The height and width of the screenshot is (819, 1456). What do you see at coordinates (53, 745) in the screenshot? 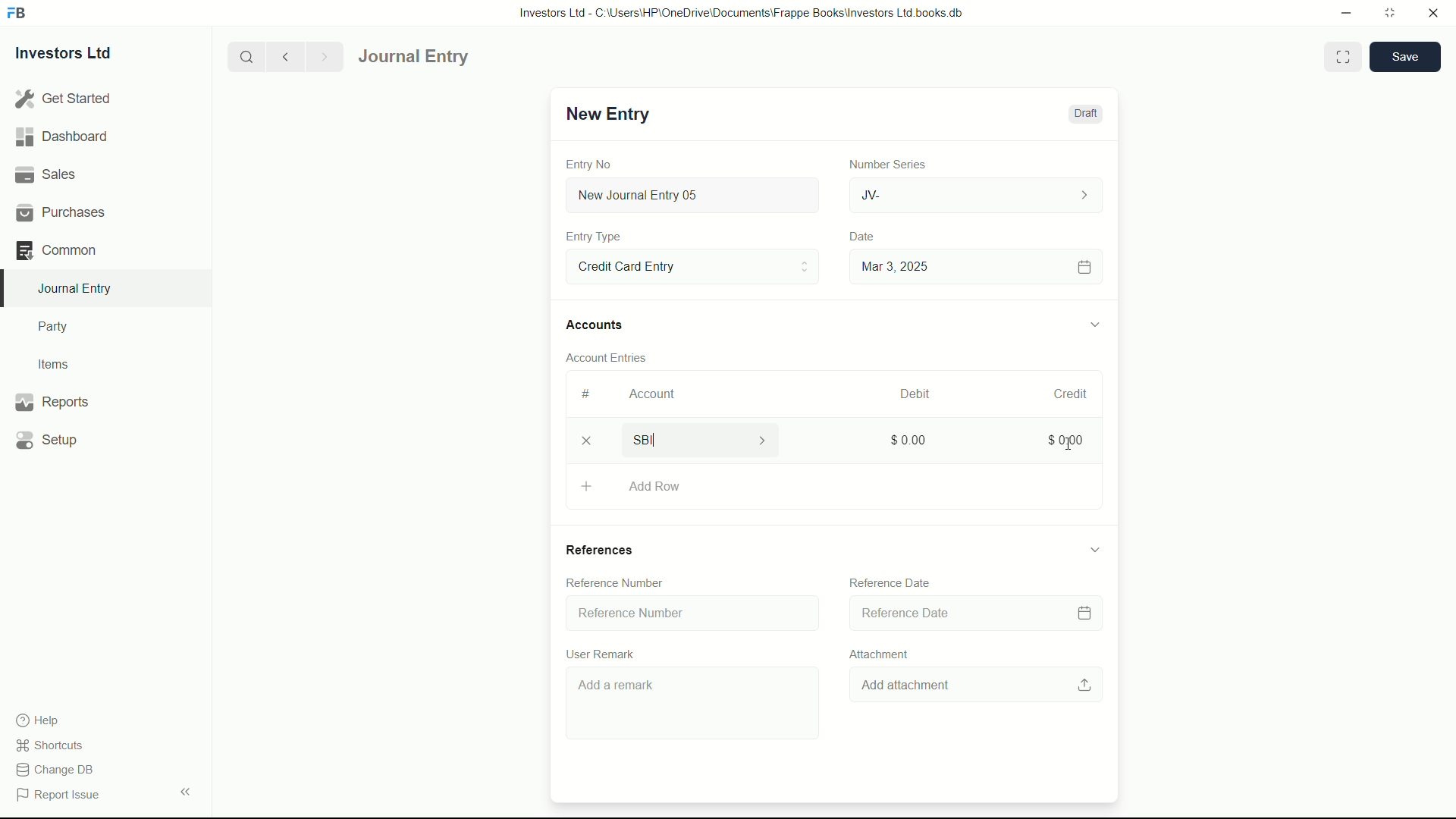
I see `shortcuts` at bounding box center [53, 745].